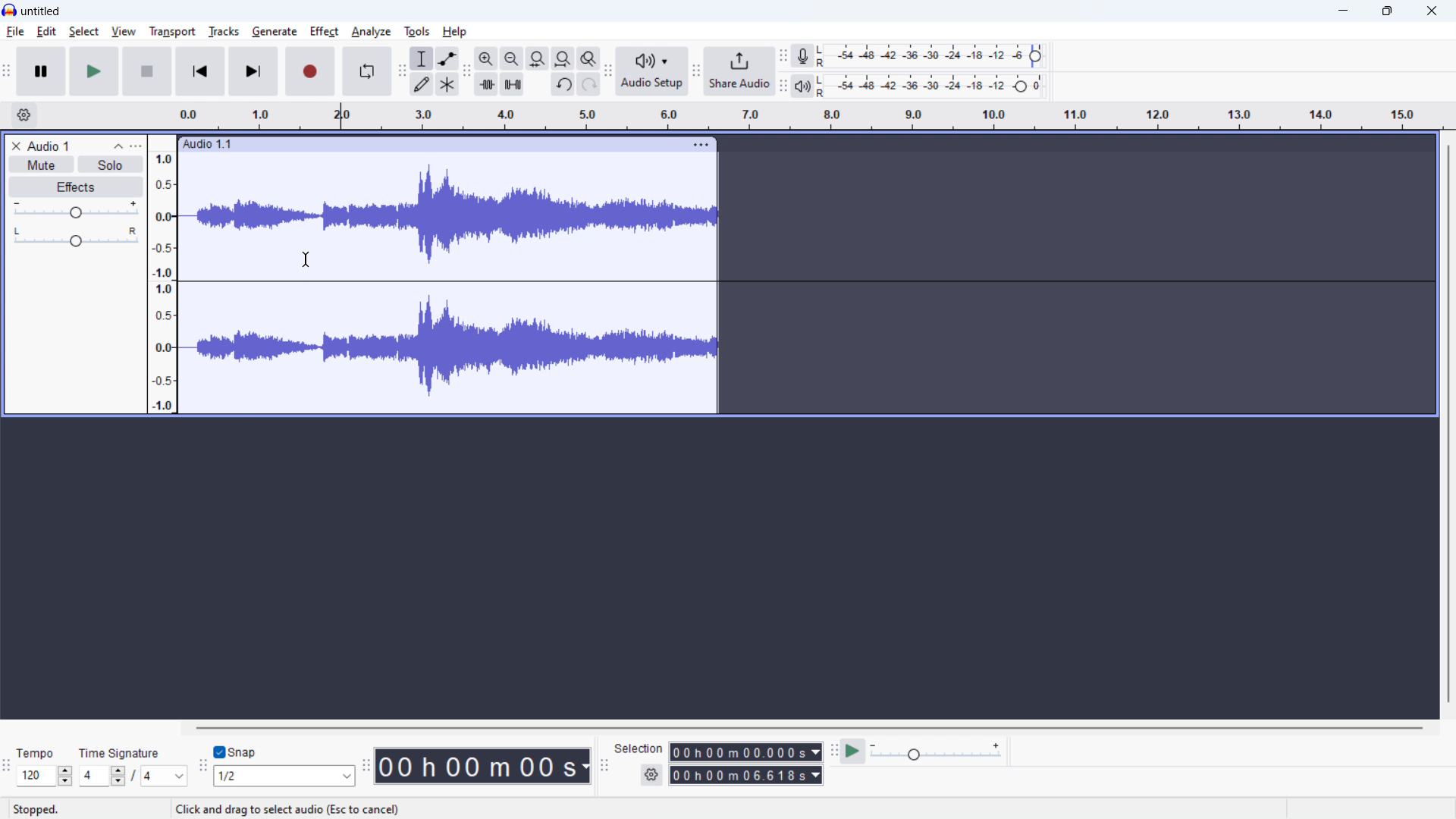 This screenshot has width=1456, height=819. Describe the element at coordinates (484, 767) in the screenshot. I see `timestamp` at that location.